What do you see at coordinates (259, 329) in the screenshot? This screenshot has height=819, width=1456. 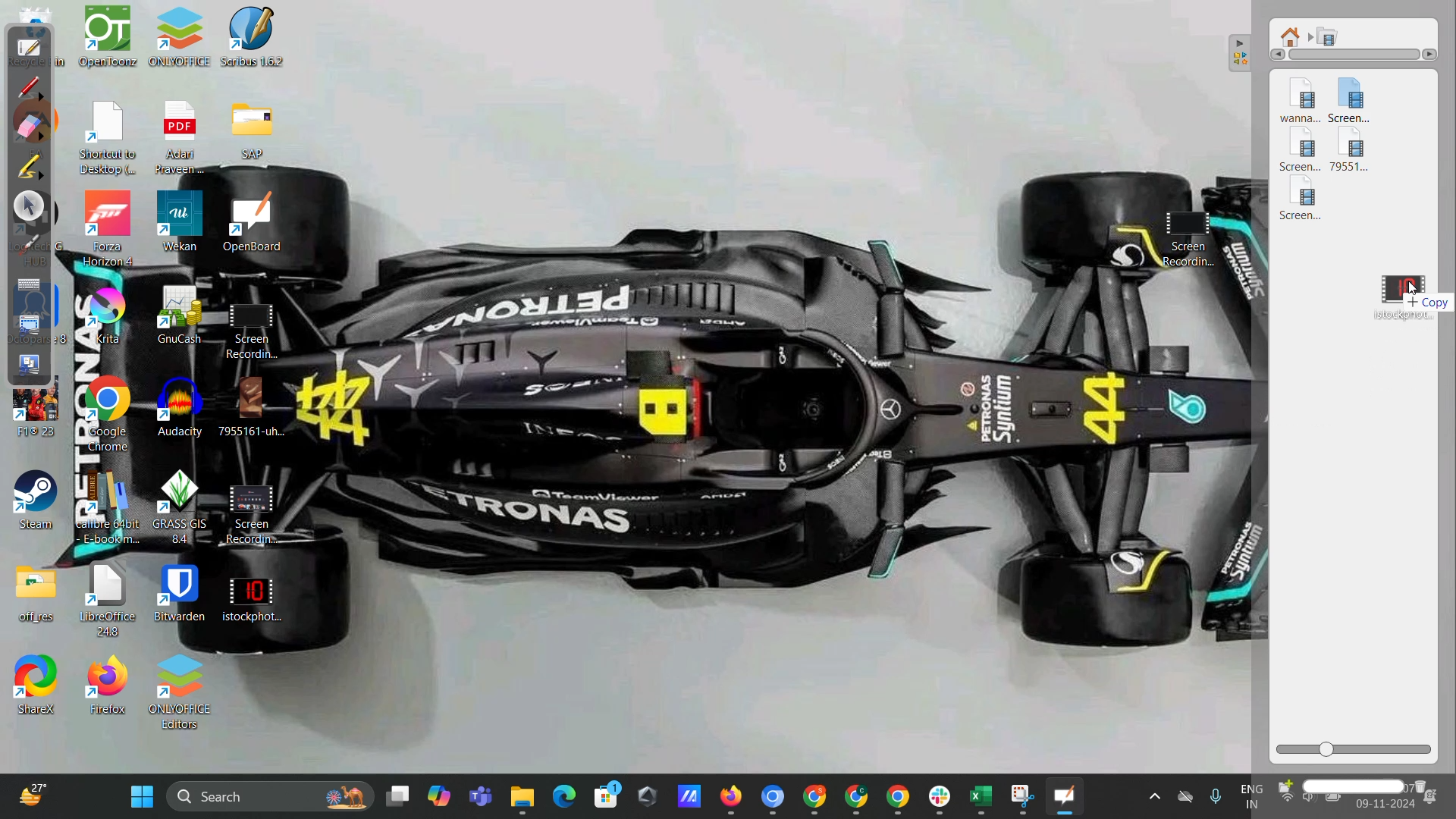 I see `Screen Recording` at bounding box center [259, 329].